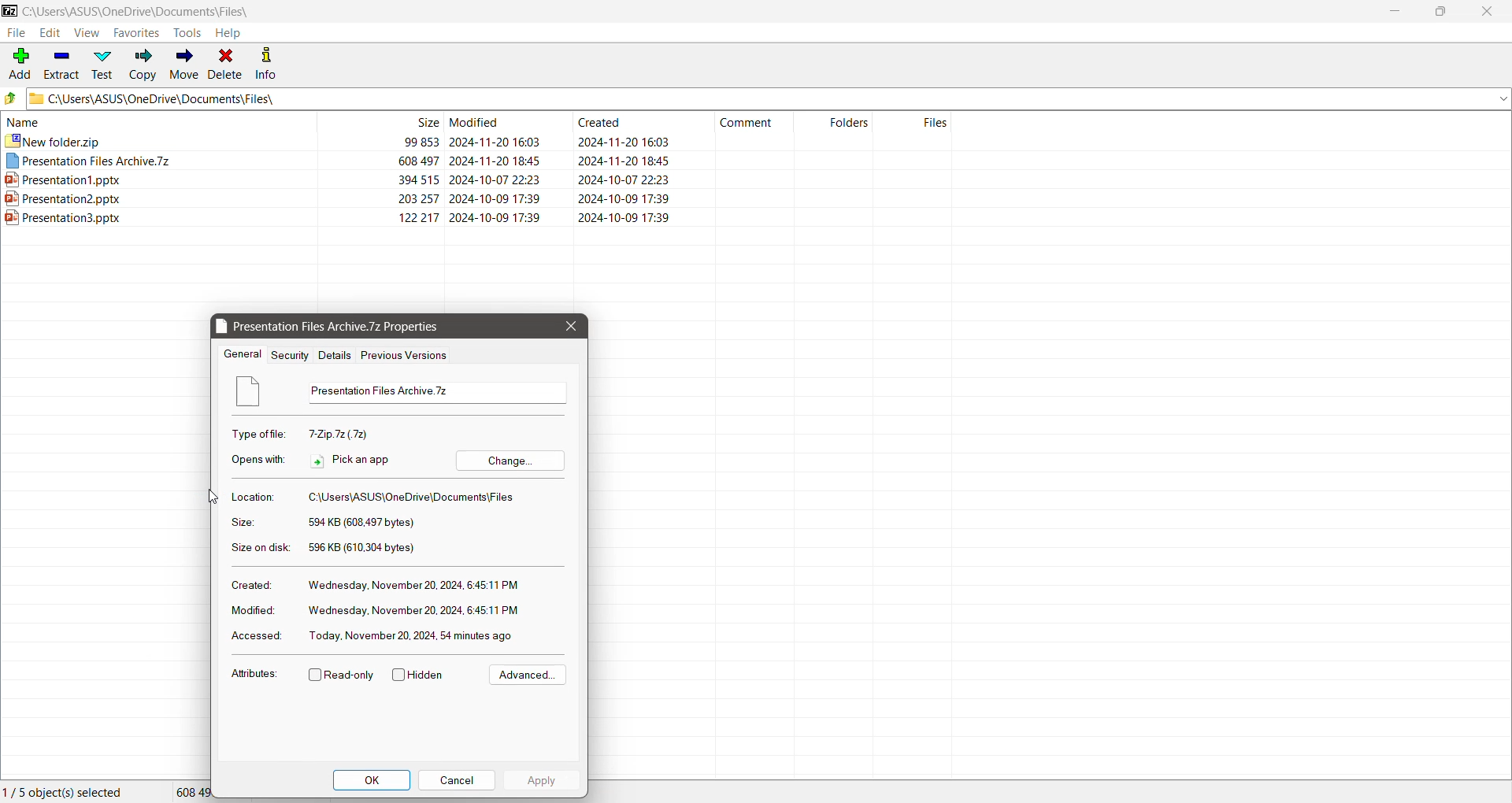 This screenshot has width=1512, height=803. I want to click on Edit, so click(49, 32).